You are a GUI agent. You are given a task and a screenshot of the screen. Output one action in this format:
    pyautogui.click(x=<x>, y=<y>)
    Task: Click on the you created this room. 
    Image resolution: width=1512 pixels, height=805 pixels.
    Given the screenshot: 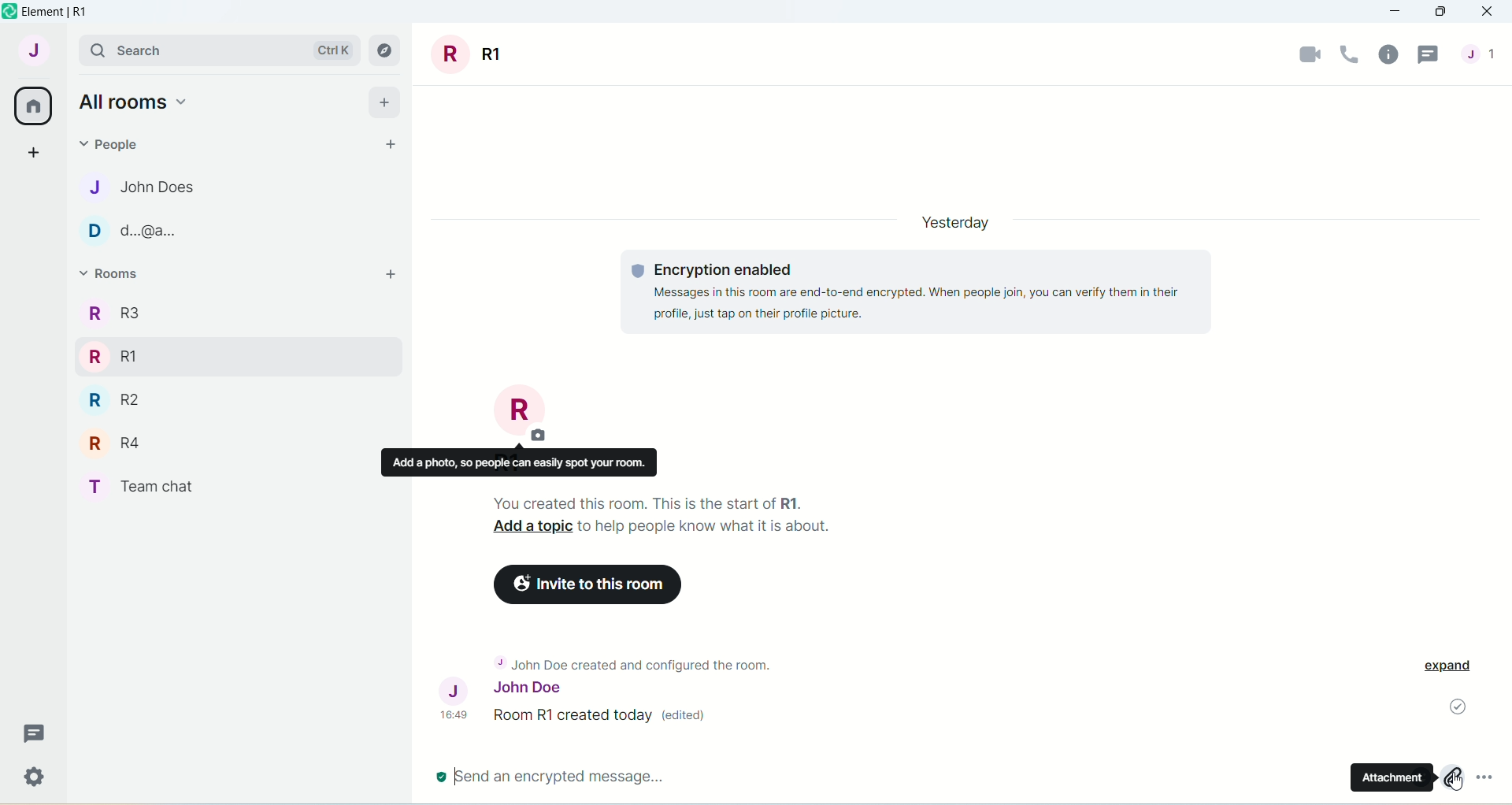 What is the action you would take?
    pyautogui.click(x=639, y=499)
    